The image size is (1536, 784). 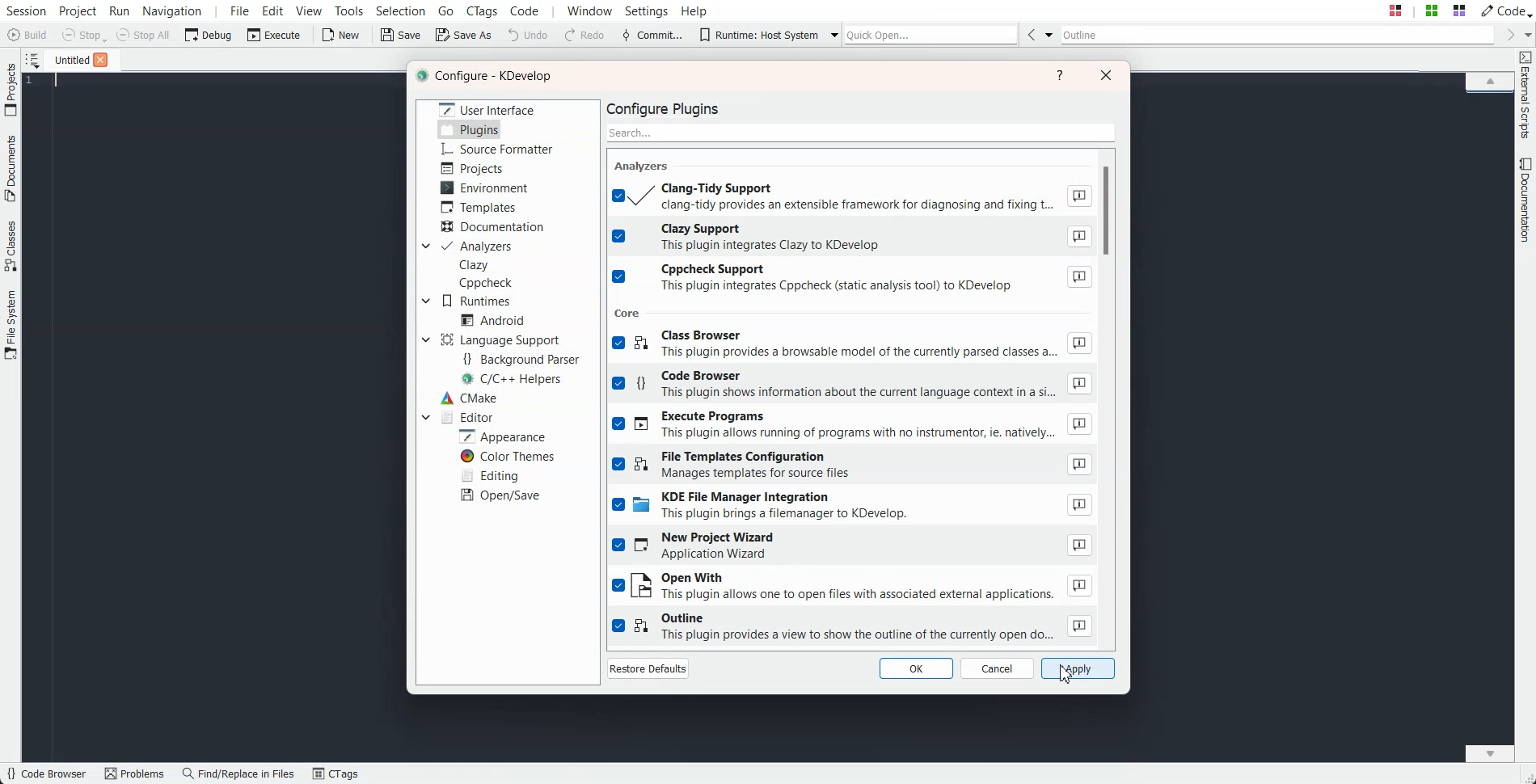 What do you see at coordinates (209, 34) in the screenshot?
I see `Debug` at bounding box center [209, 34].